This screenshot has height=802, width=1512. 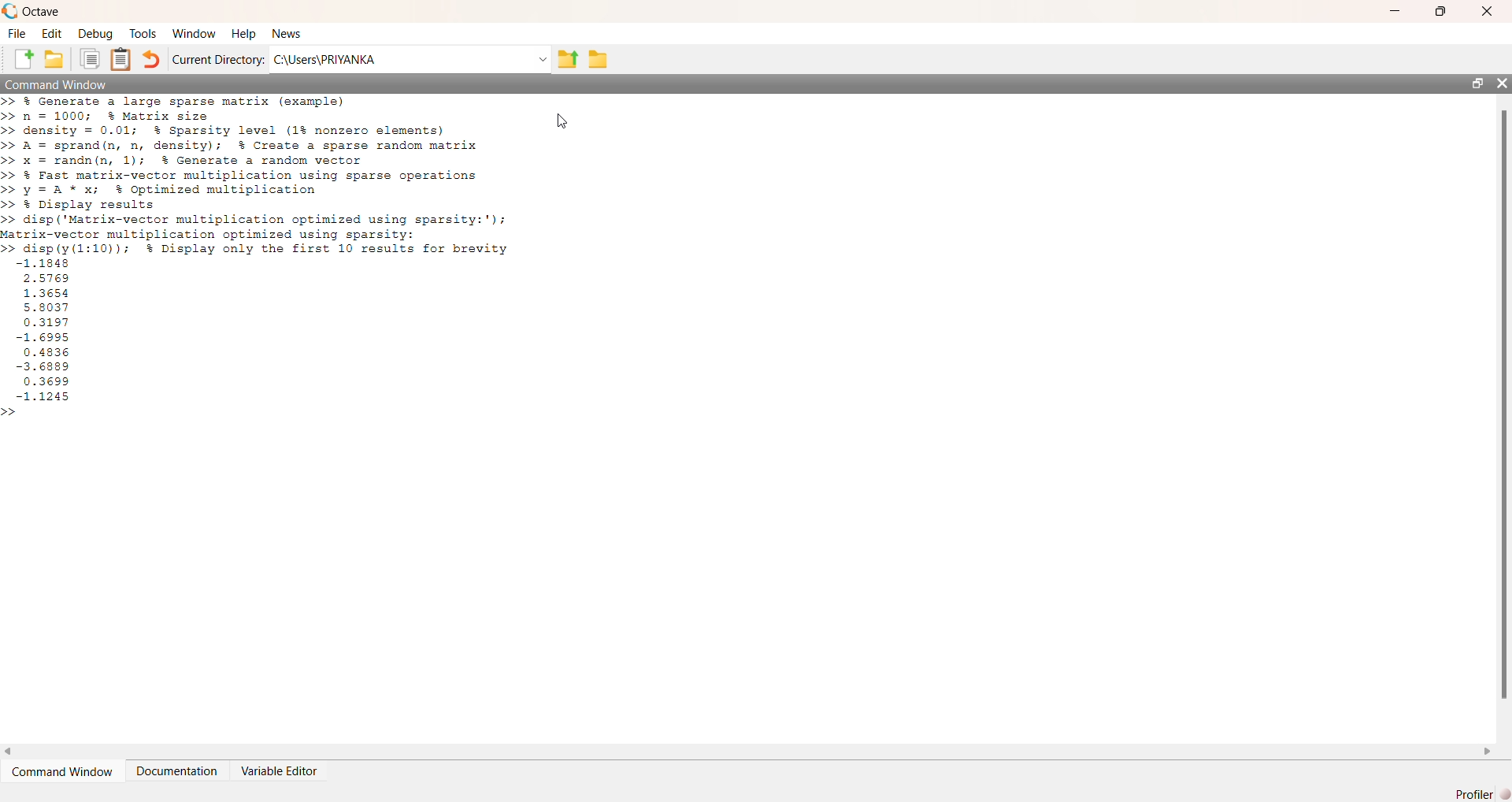 I want to click on news, so click(x=291, y=34).